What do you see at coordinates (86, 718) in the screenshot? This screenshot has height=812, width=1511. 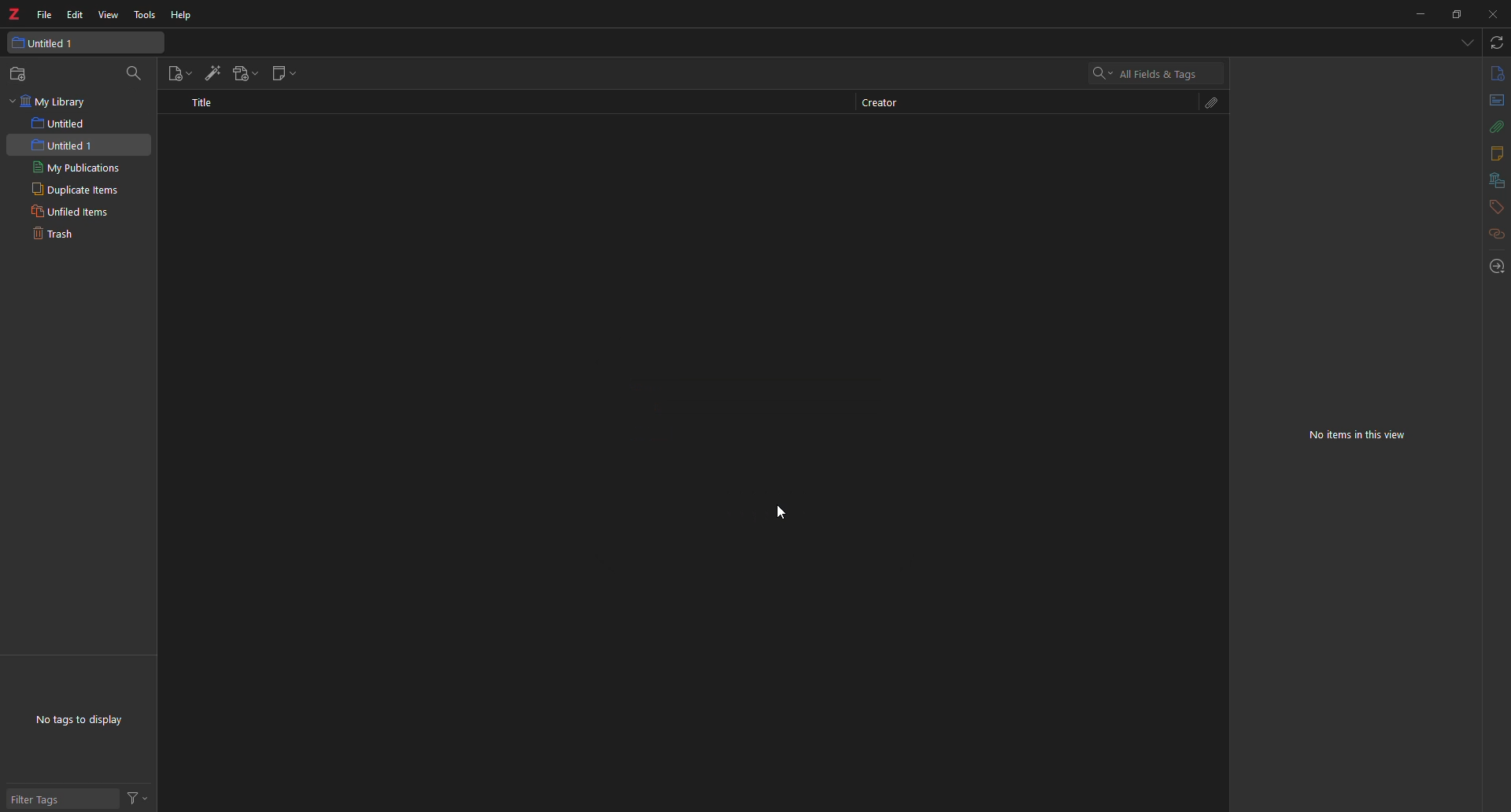 I see `no tags to display` at bounding box center [86, 718].